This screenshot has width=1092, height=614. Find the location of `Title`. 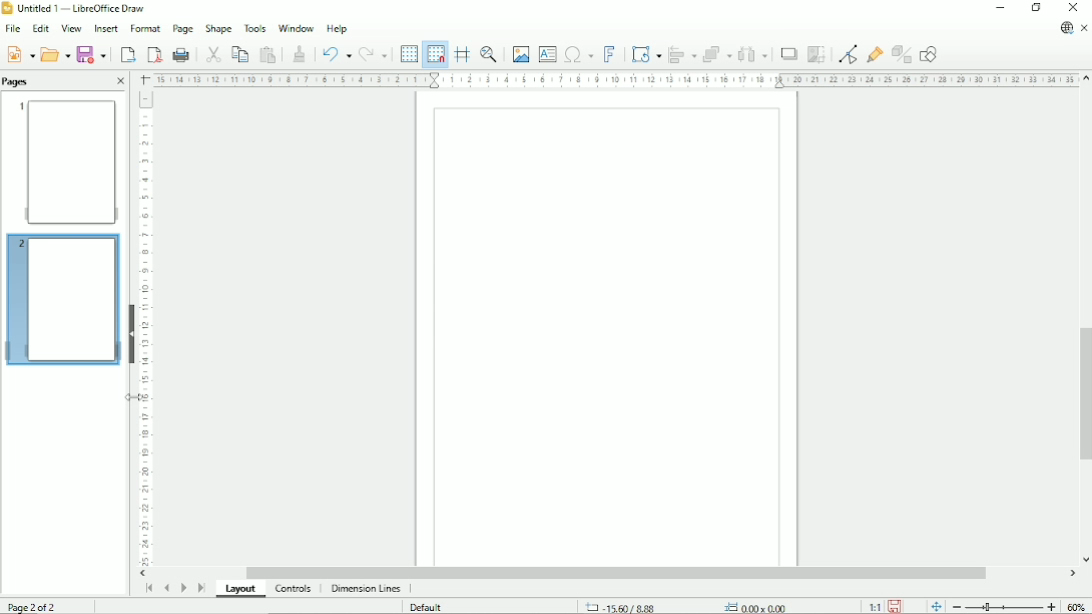

Title is located at coordinates (77, 9).